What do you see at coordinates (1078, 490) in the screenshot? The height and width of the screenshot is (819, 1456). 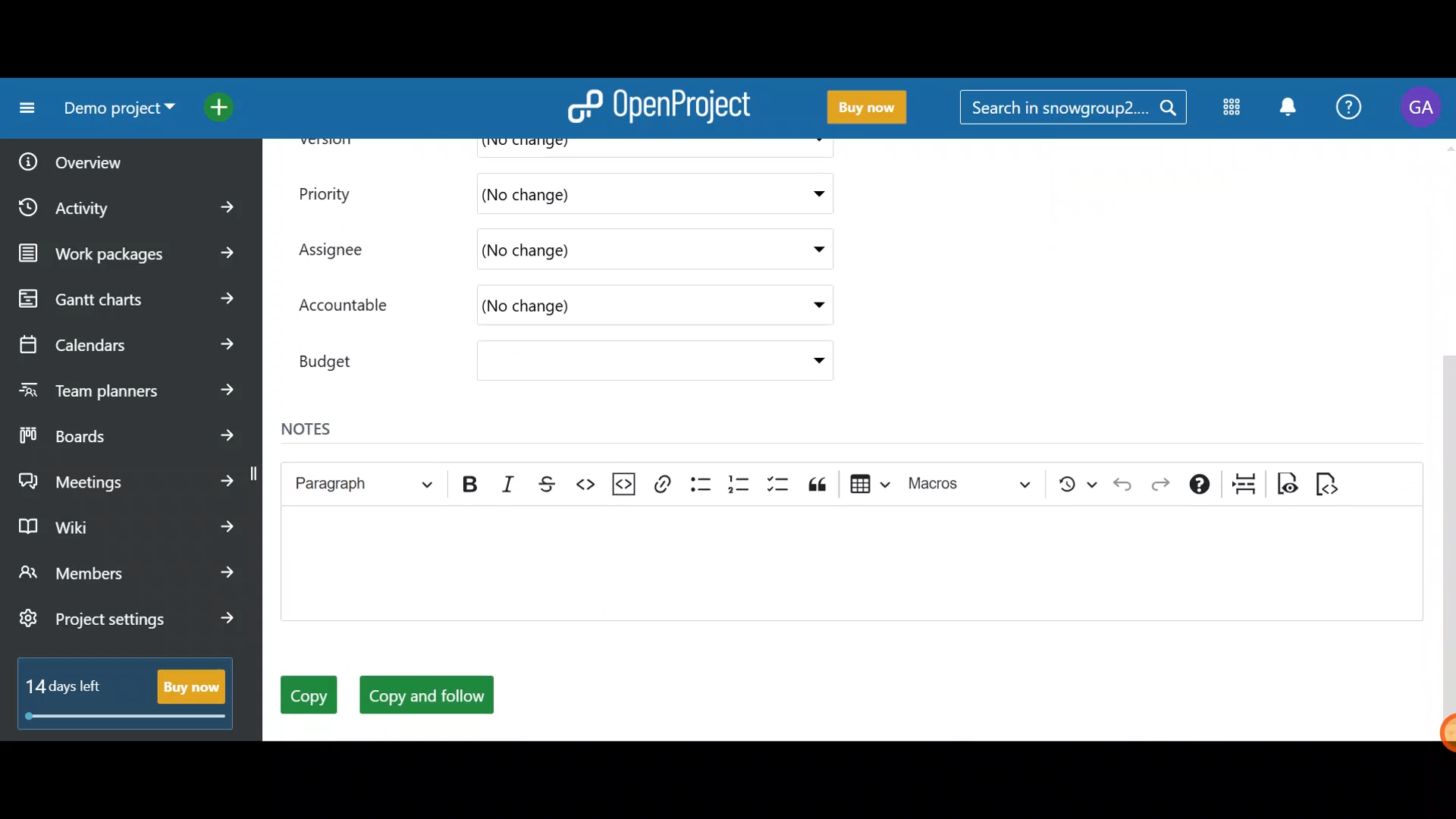 I see `Show local modifications` at bounding box center [1078, 490].